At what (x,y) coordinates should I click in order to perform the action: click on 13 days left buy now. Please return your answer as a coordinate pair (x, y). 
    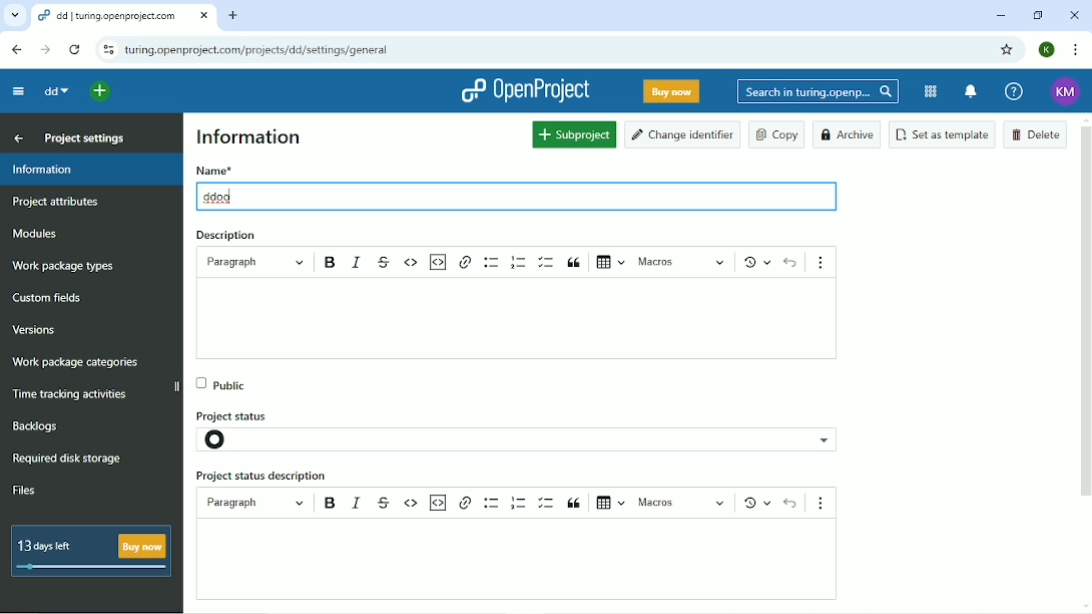
    Looking at the image, I should click on (92, 552).